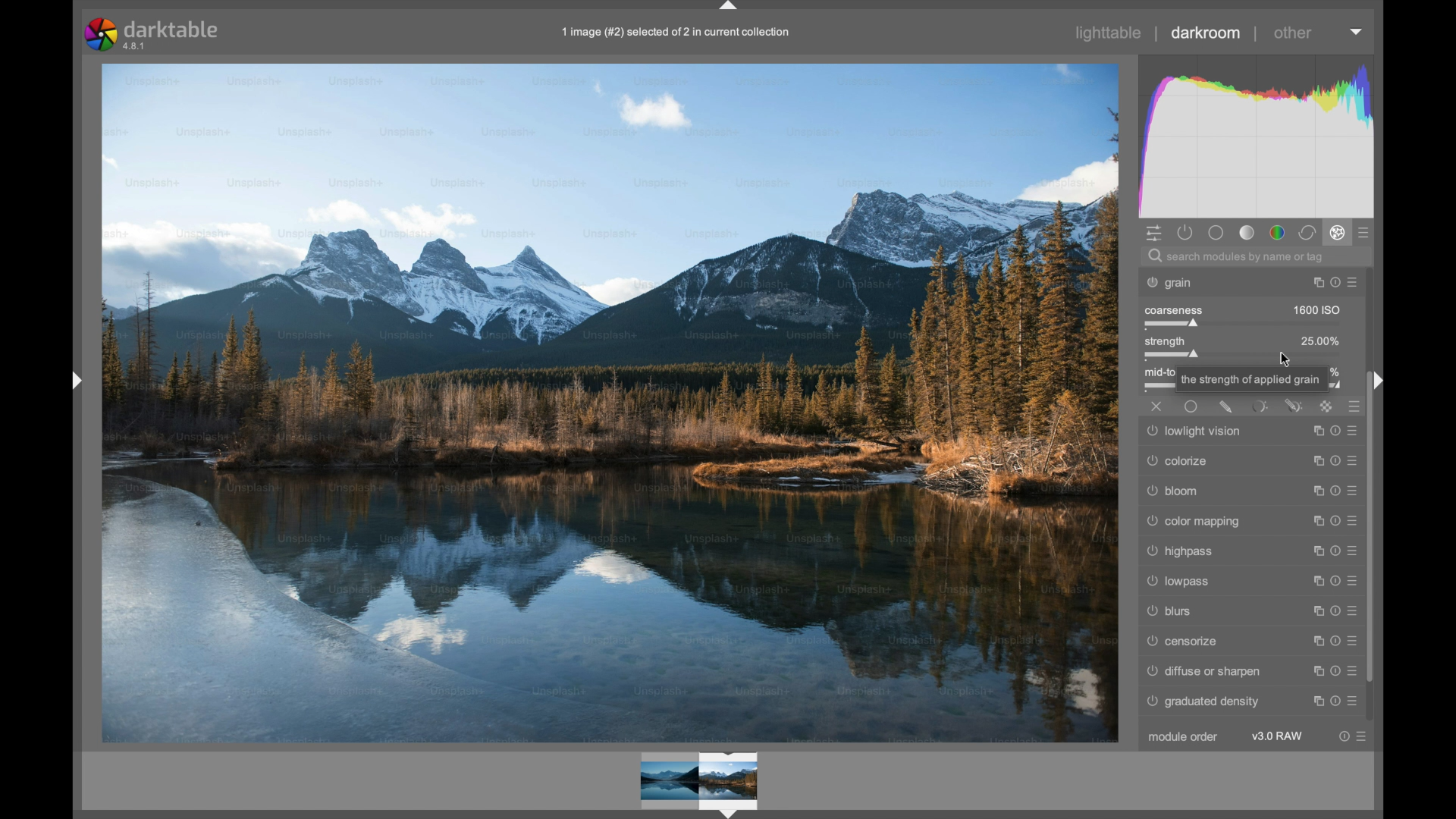  I want to click on presets, so click(1367, 234).